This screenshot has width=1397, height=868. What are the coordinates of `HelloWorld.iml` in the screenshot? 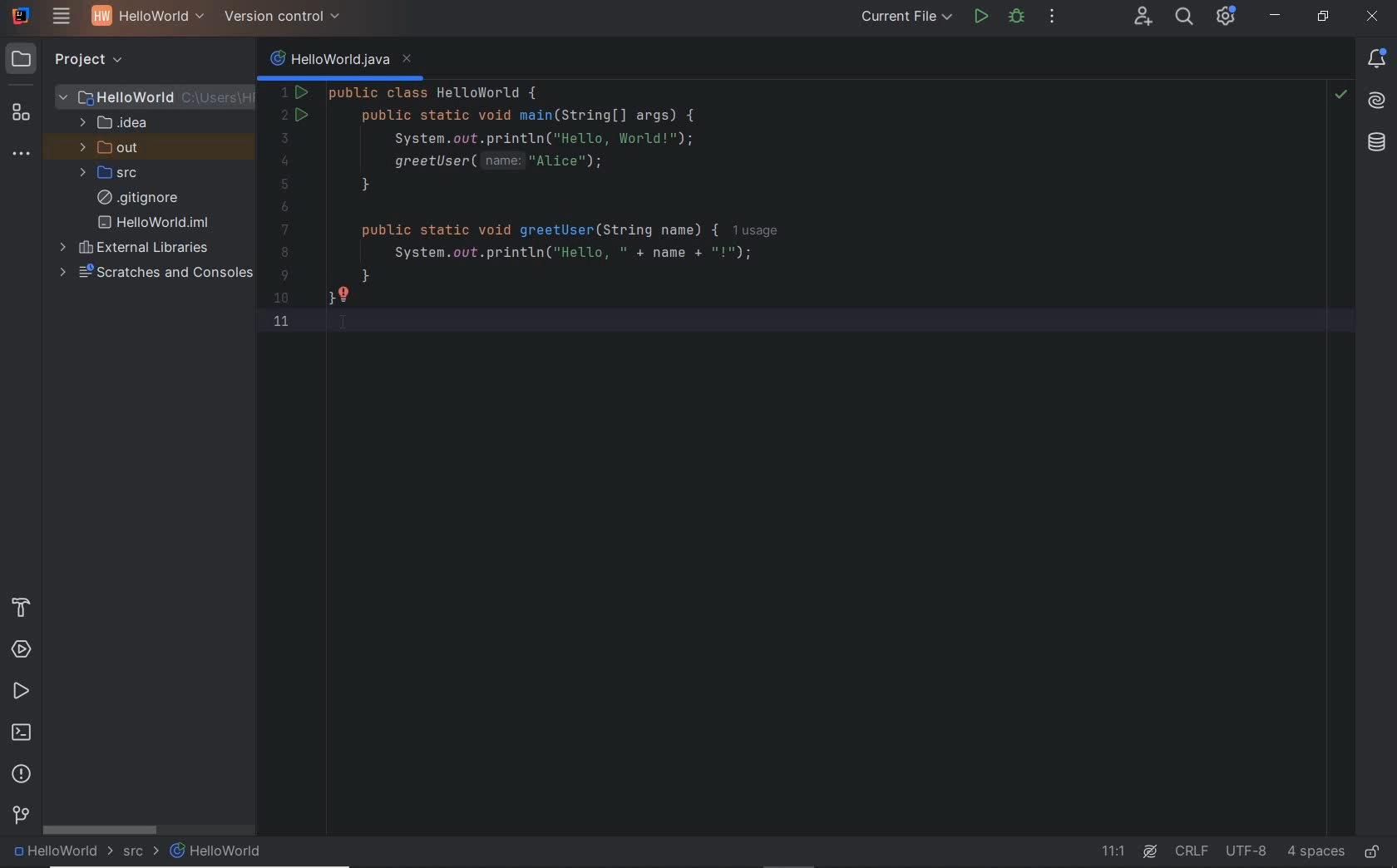 It's located at (155, 222).